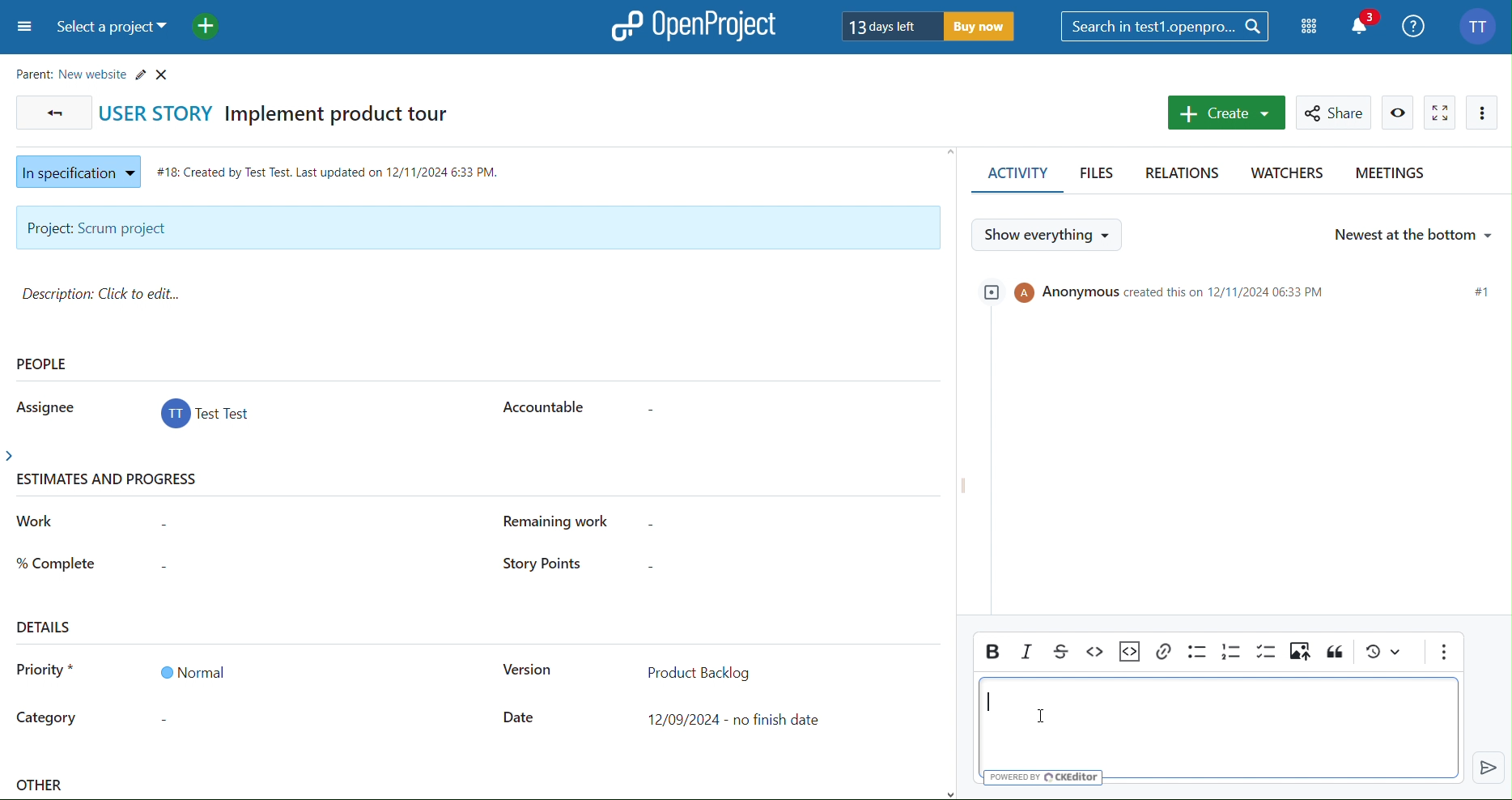 Image resolution: width=1512 pixels, height=800 pixels. What do you see at coordinates (1484, 293) in the screenshot?
I see `#1` at bounding box center [1484, 293].